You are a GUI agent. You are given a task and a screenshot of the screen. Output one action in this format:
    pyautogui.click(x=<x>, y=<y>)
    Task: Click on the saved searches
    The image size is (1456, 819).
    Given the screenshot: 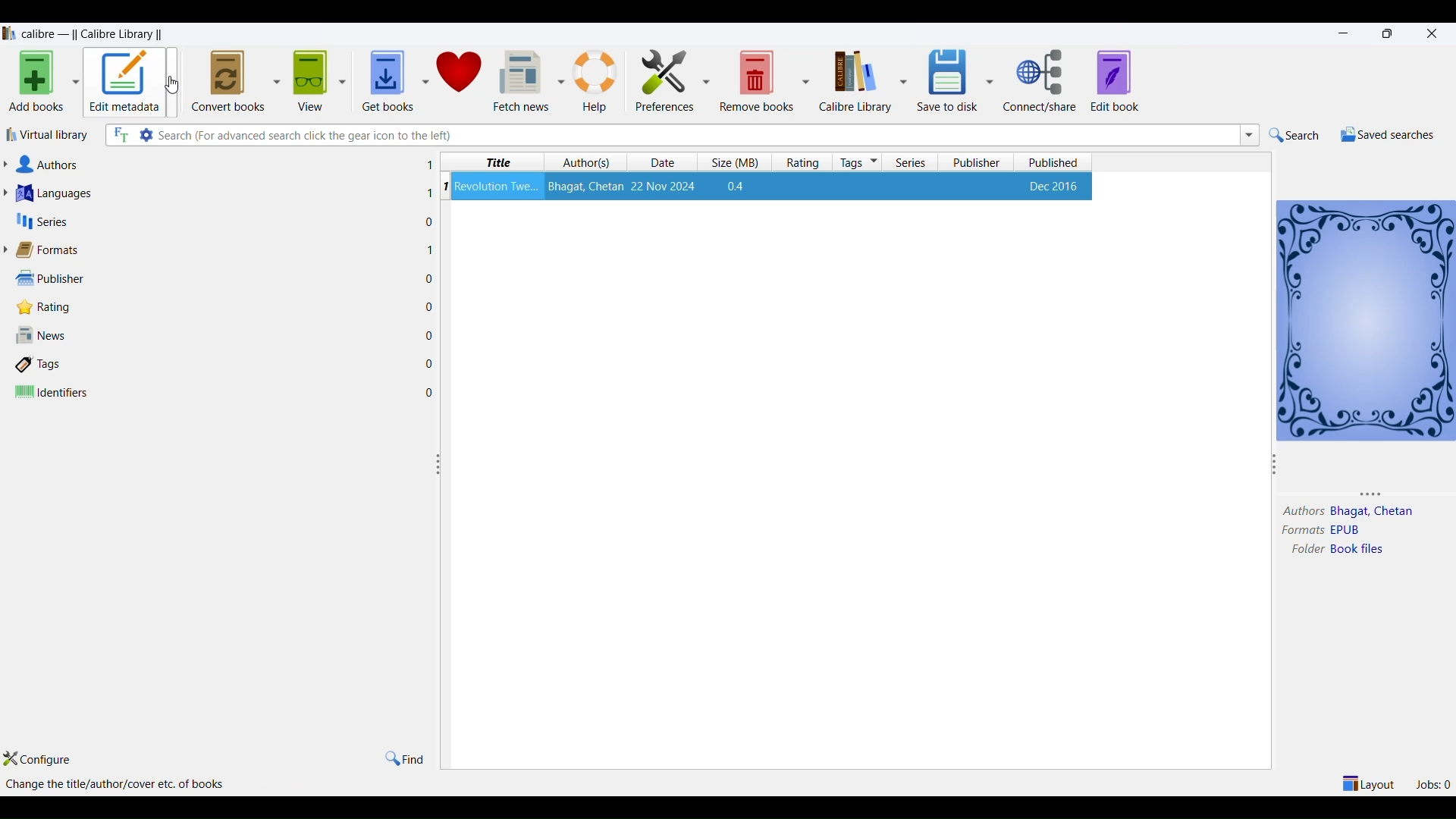 What is the action you would take?
    pyautogui.click(x=1384, y=133)
    